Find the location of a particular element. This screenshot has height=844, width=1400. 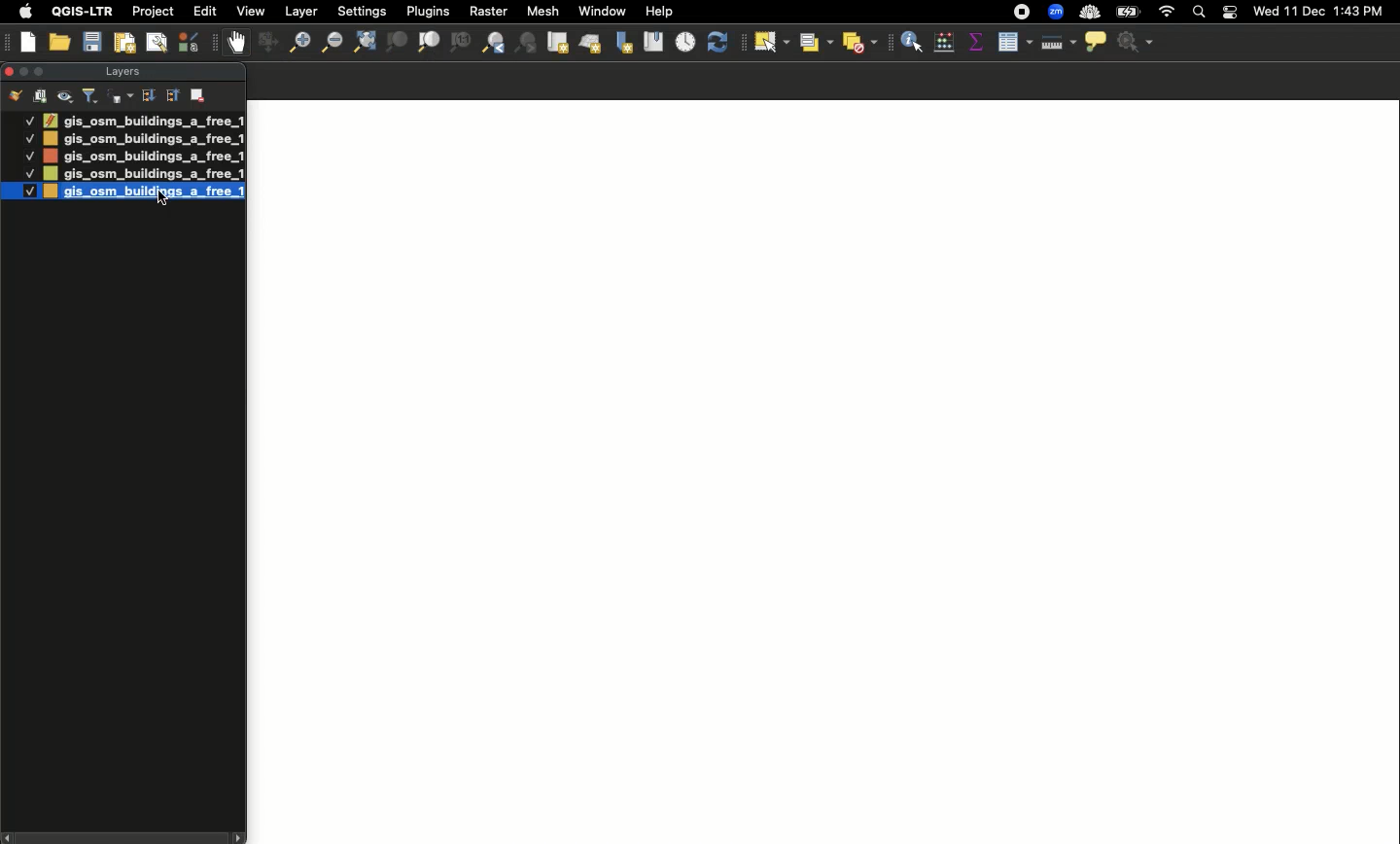

Settings is located at coordinates (364, 12).